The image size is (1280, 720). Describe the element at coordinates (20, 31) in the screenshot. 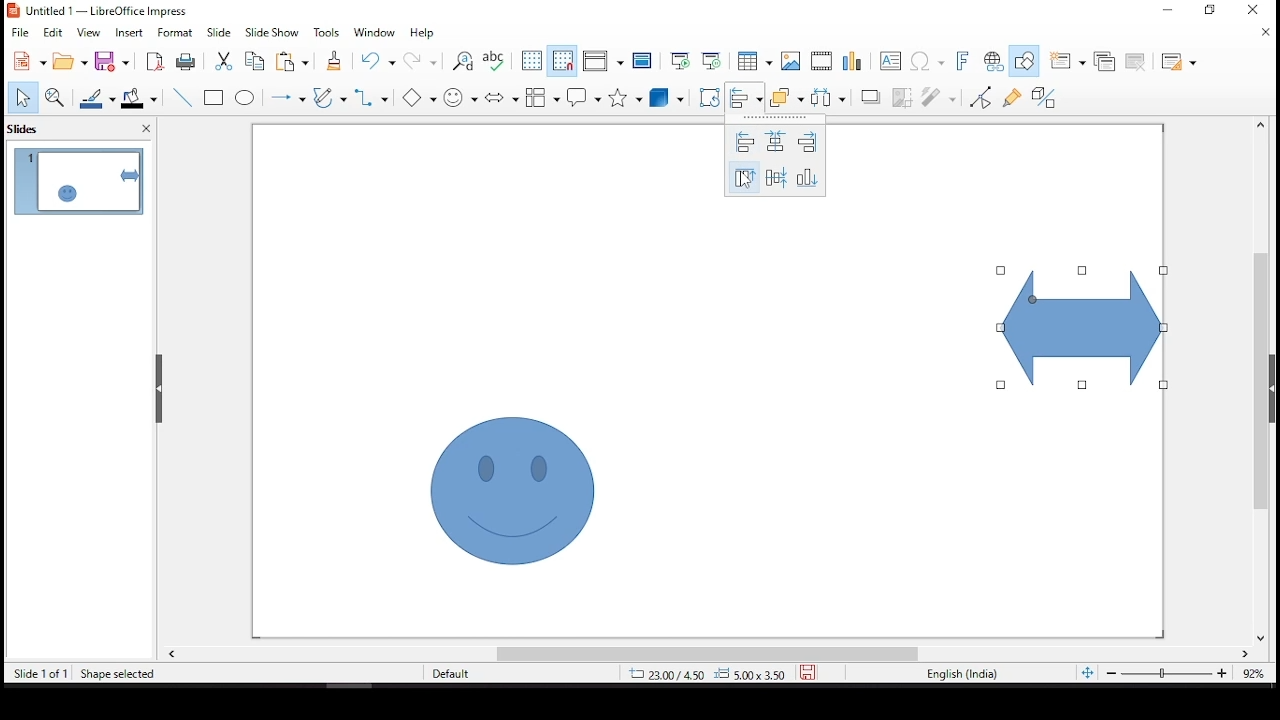

I see `file` at that location.